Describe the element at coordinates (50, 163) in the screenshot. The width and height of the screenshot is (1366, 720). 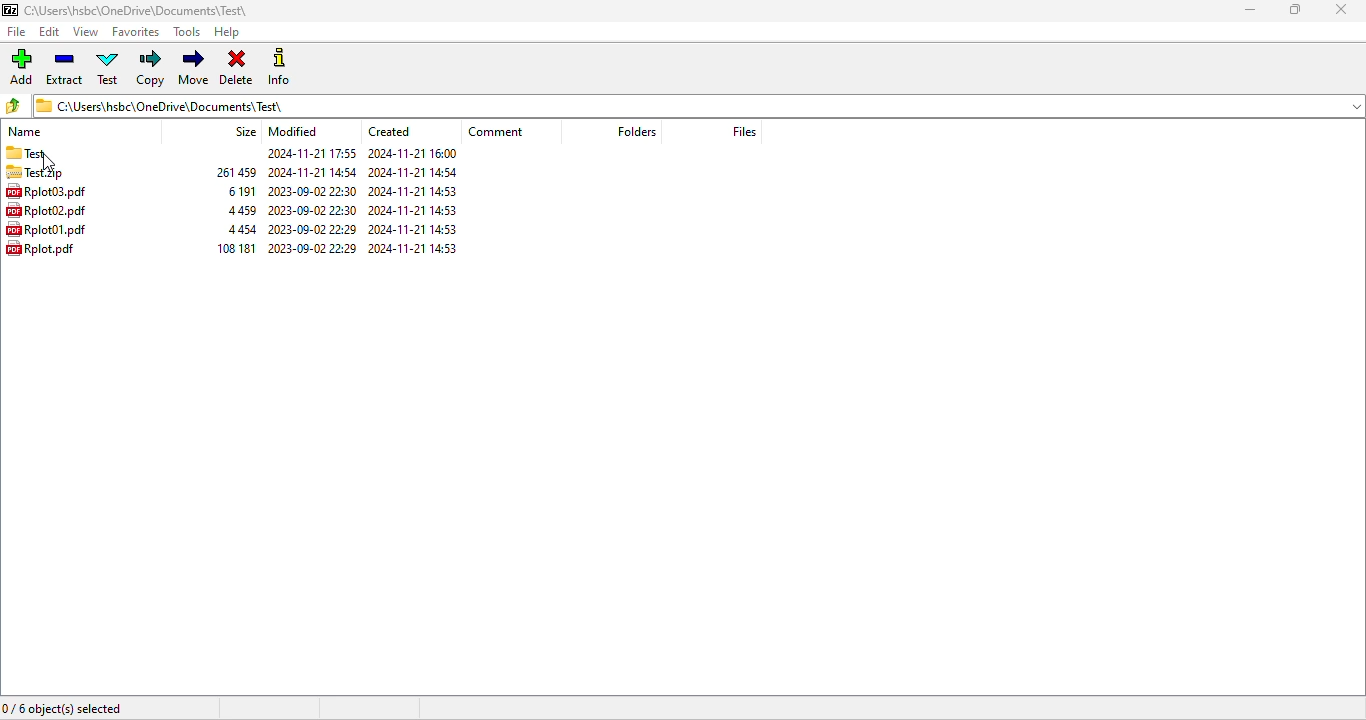
I see `cursor` at that location.